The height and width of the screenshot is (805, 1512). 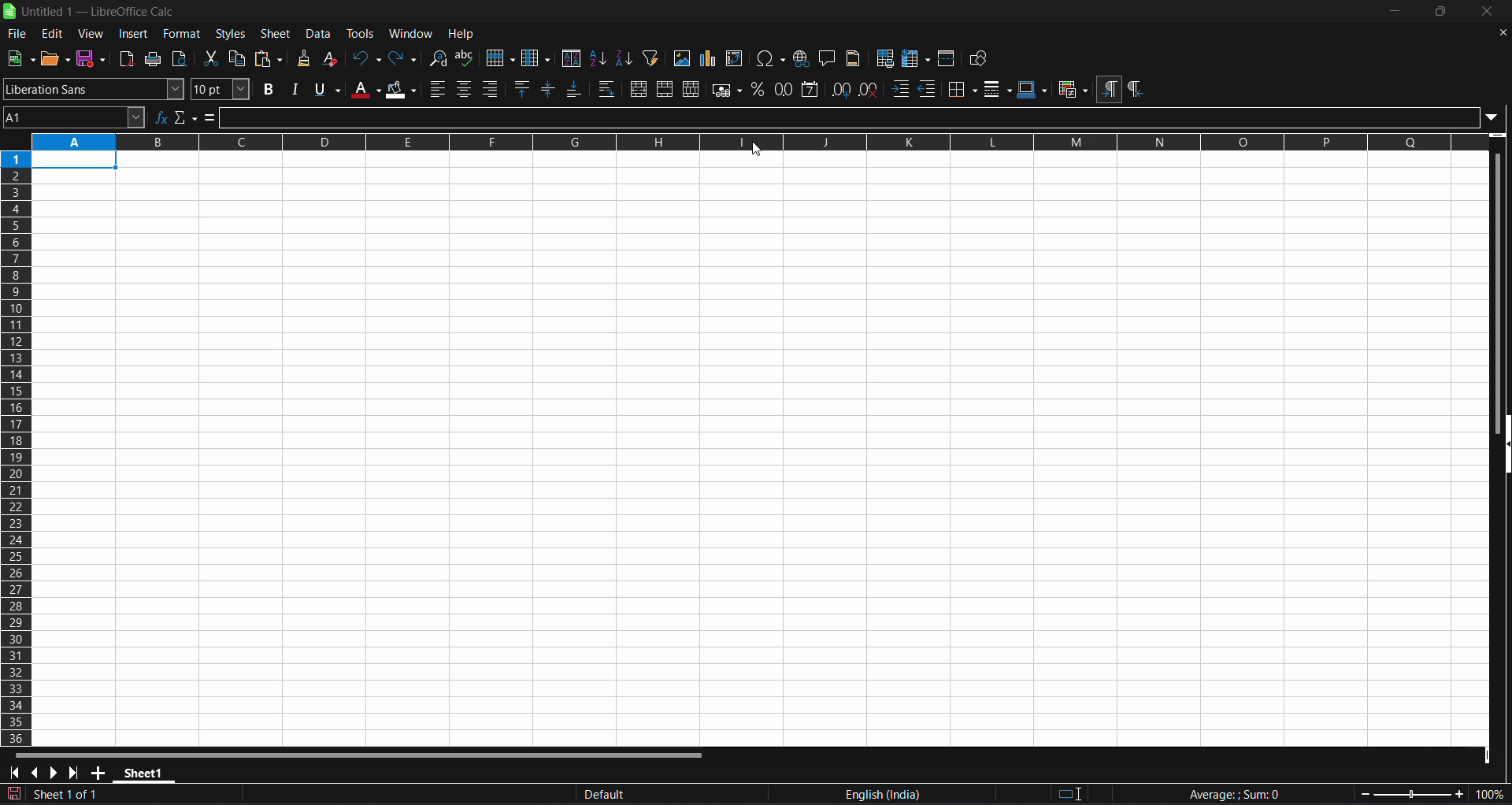 What do you see at coordinates (320, 33) in the screenshot?
I see `data` at bounding box center [320, 33].